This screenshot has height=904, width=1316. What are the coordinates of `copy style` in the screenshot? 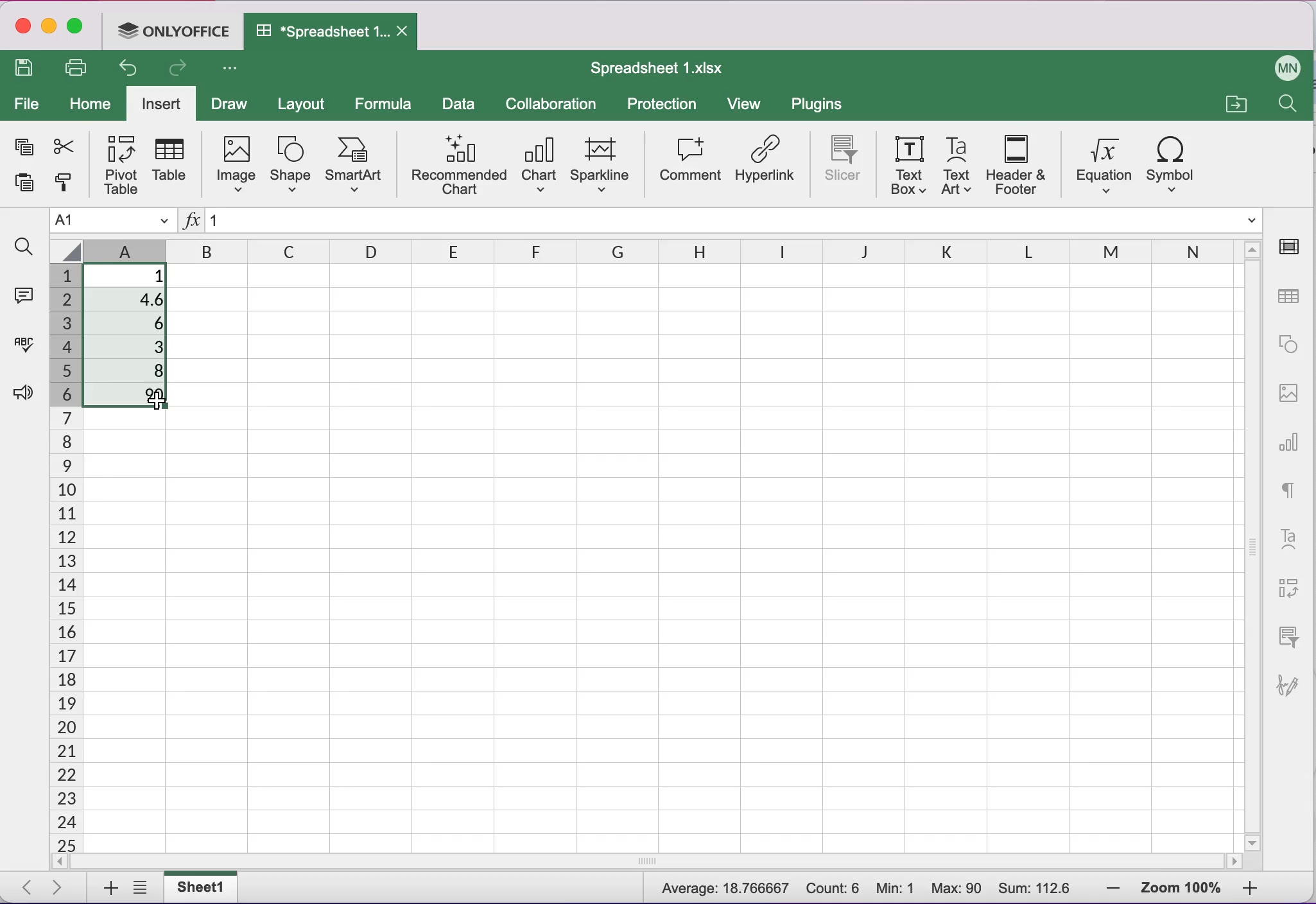 It's located at (60, 184).